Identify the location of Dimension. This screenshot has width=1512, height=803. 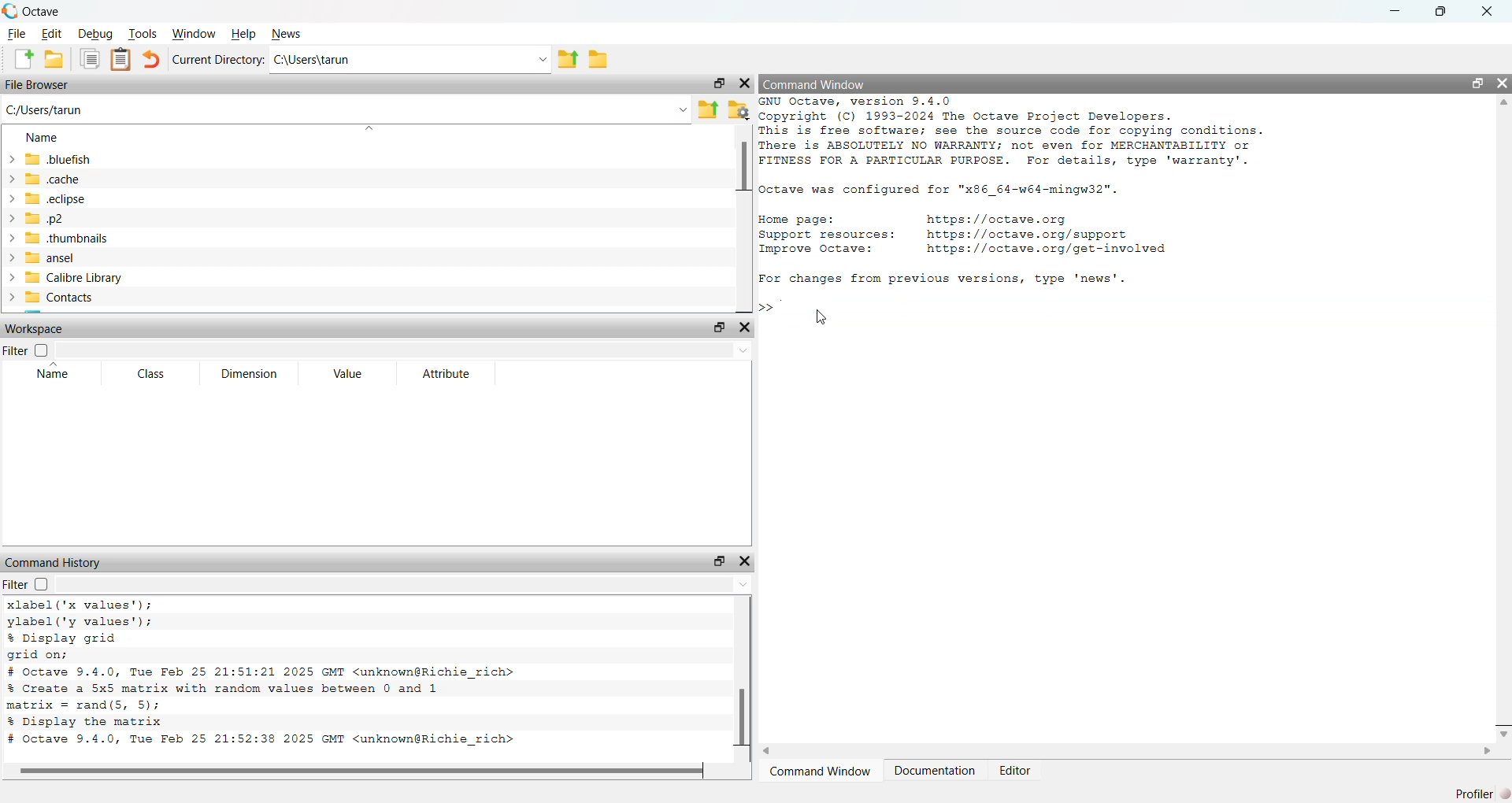
(246, 372).